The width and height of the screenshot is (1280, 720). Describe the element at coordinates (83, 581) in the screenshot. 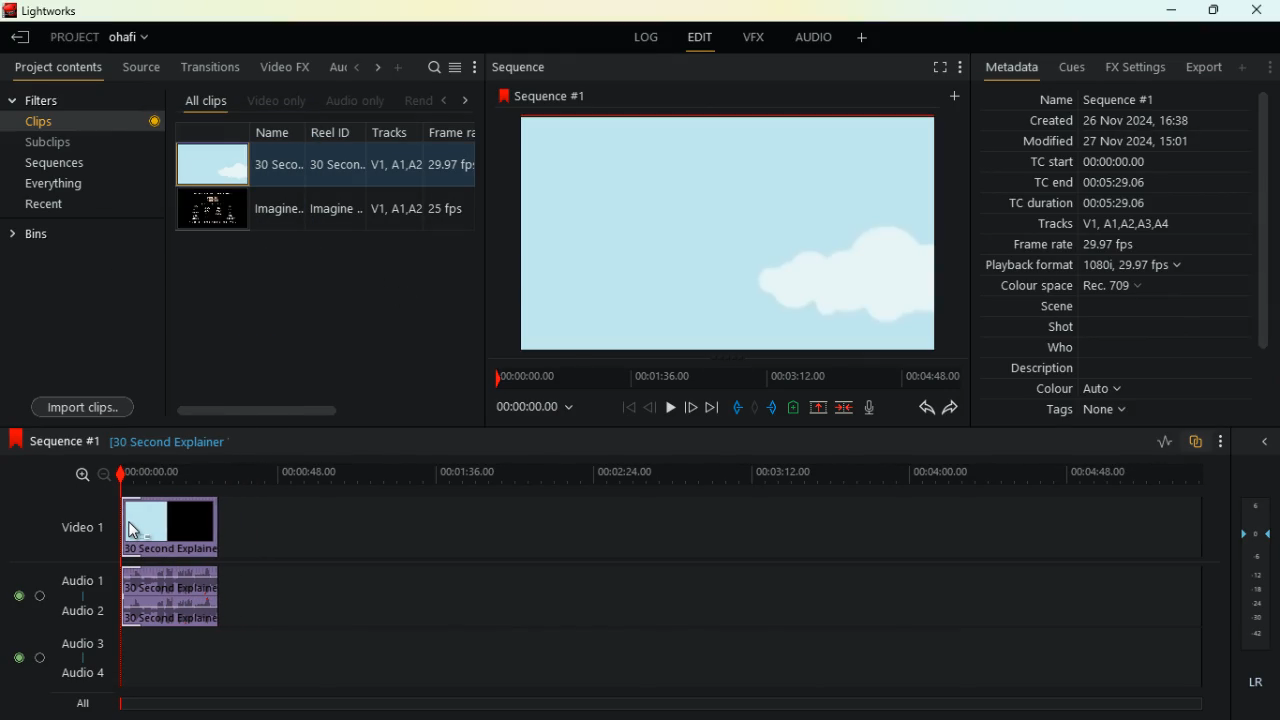

I see `audio1` at that location.